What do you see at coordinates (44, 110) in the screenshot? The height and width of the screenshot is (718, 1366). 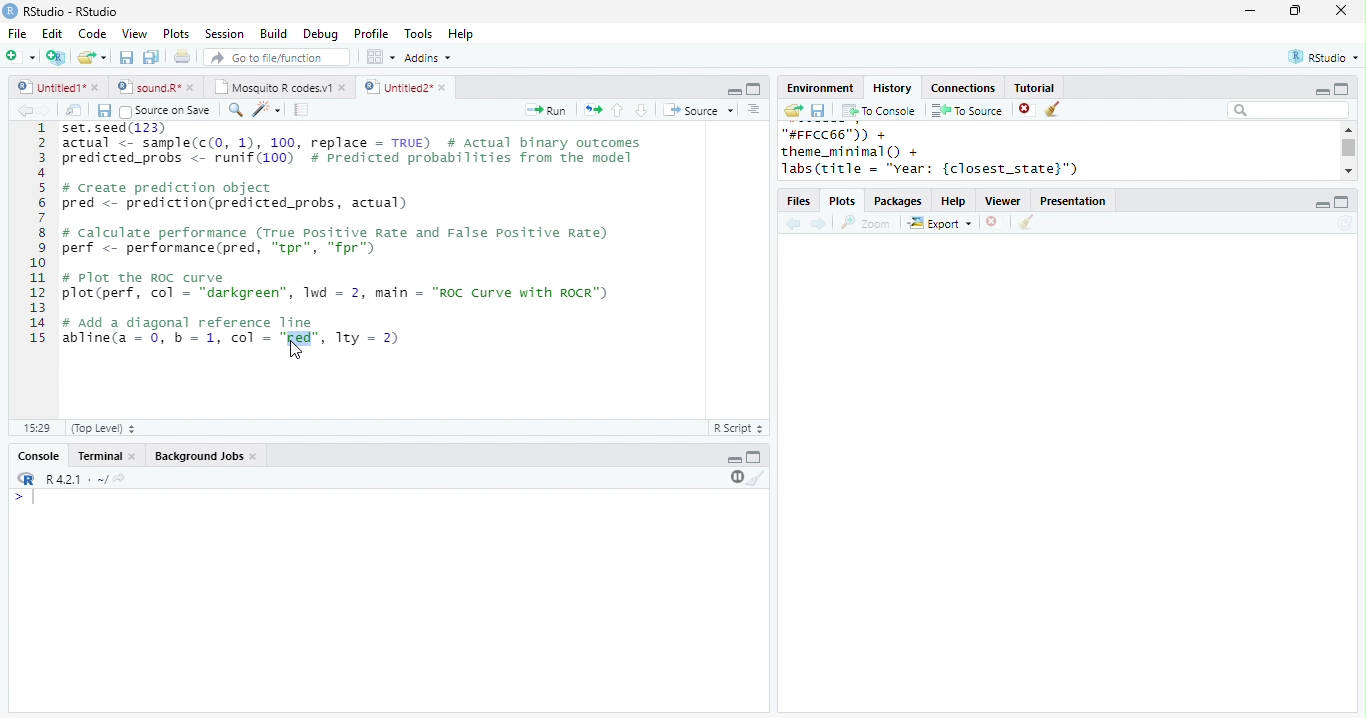 I see `forward` at bounding box center [44, 110].